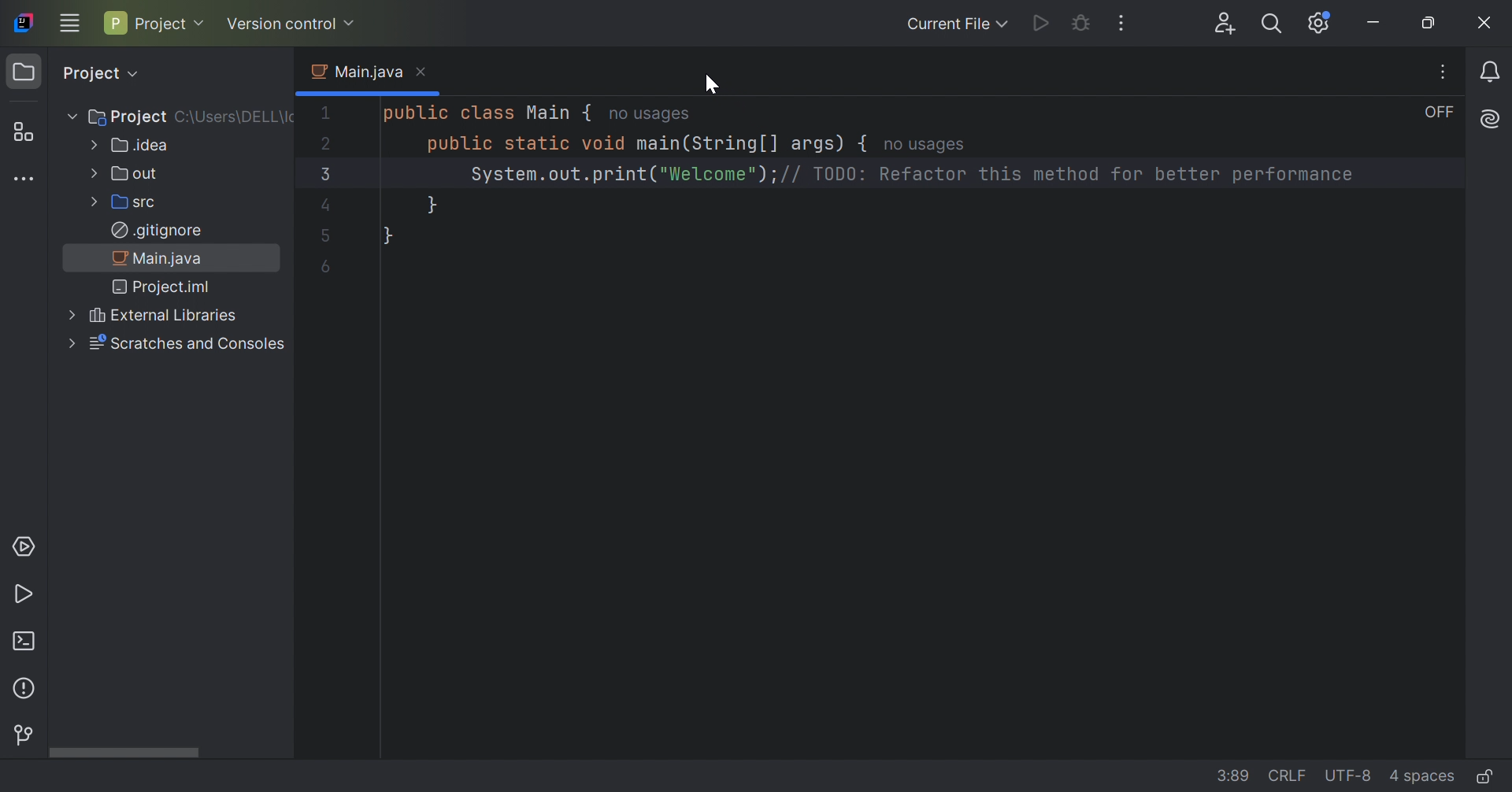 Image resolution: width=1512 pixels, height=792 pixels. What do you see at coordinates (123, 752) in the screenshot?
I see `Scroll bar` at bounding box center [123, 752].